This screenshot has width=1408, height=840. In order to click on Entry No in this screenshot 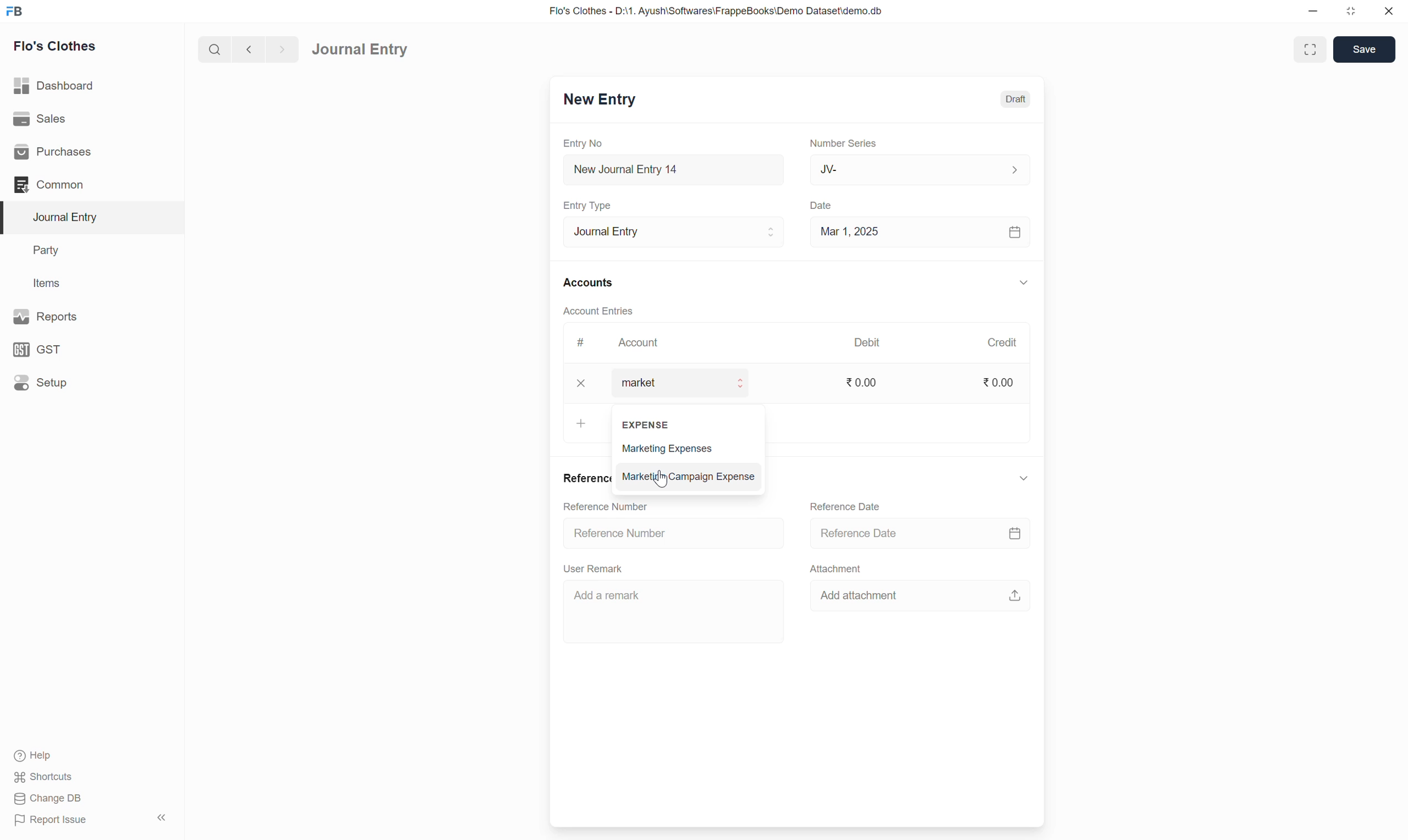, I will do `click(585, 143)`.